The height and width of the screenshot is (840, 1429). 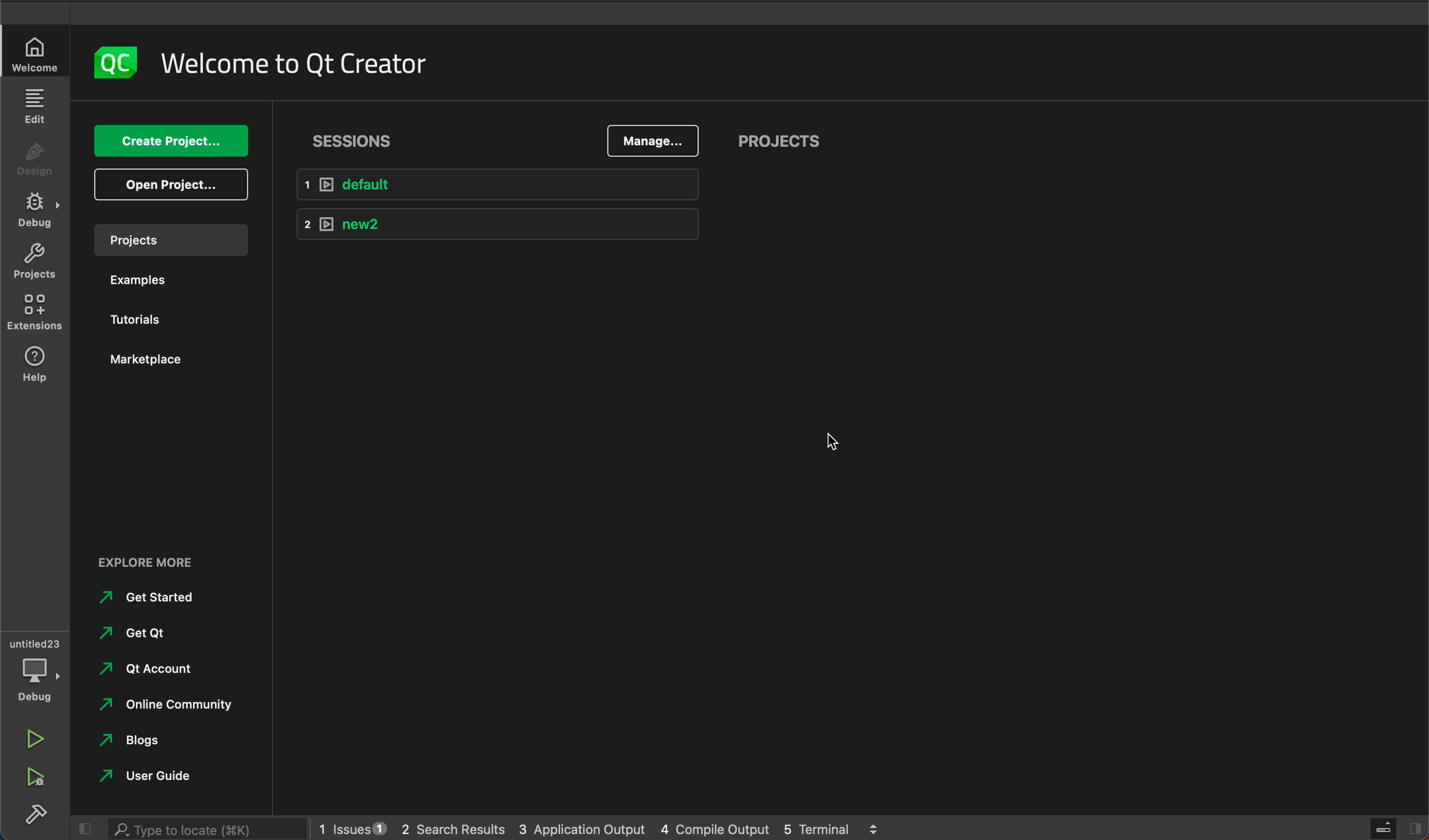 What do you see at coordinates (34, 262) in the screenshot?
I see `project` at bounding box center [34, 262].